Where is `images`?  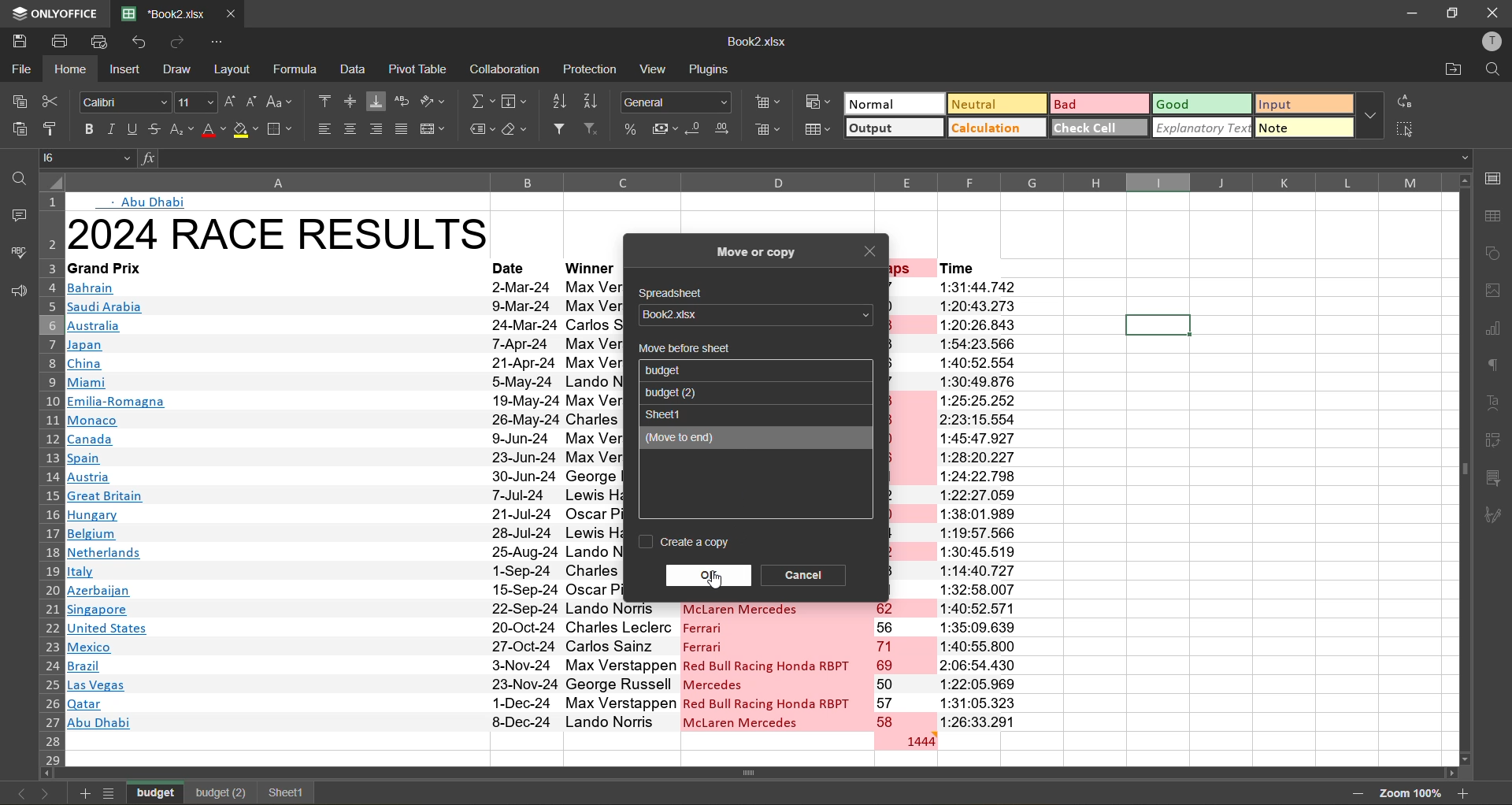
images is located at coordinates (1495, 293).